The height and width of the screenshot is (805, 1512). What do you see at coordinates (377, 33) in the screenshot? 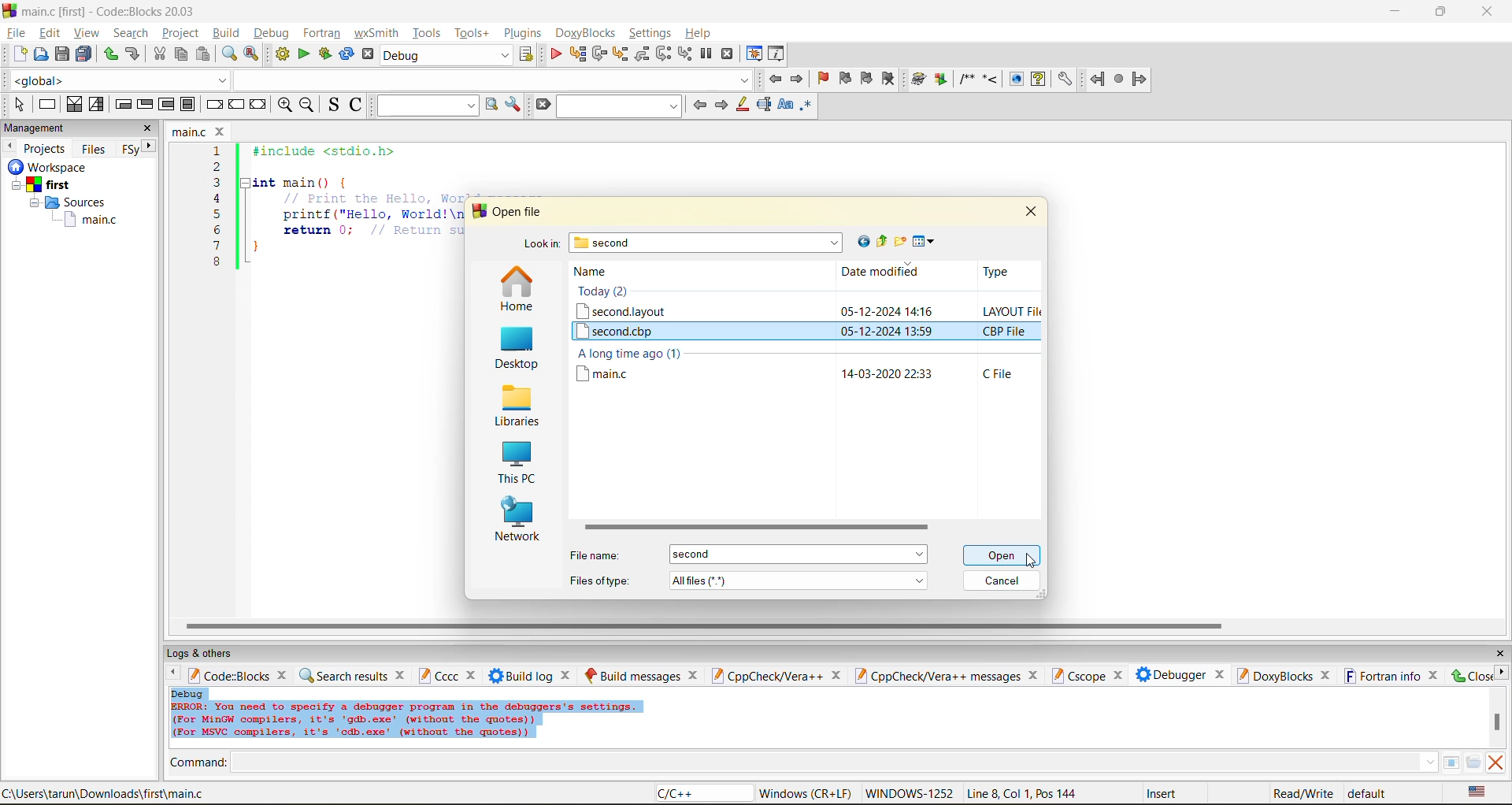
I see `wxsmith` at bounding box center [377, 33].